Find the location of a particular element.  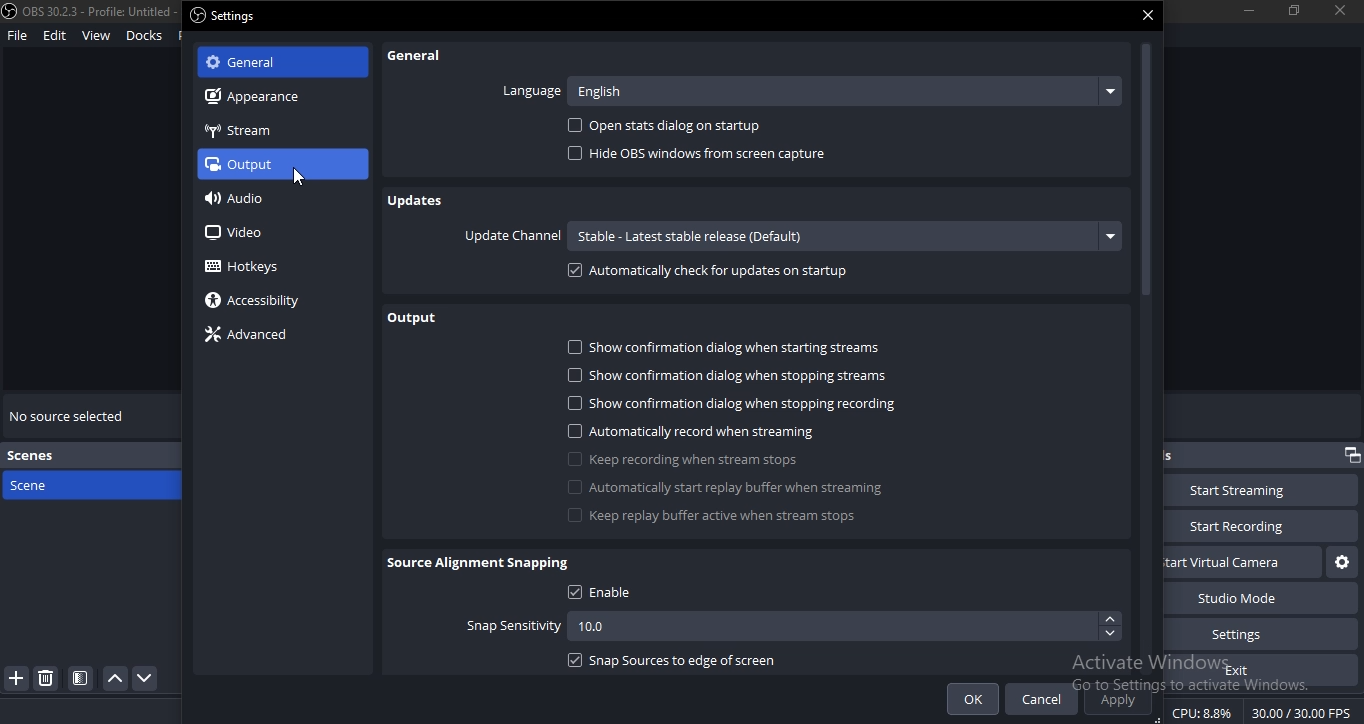

scenes is located at coordinates (38, 457).